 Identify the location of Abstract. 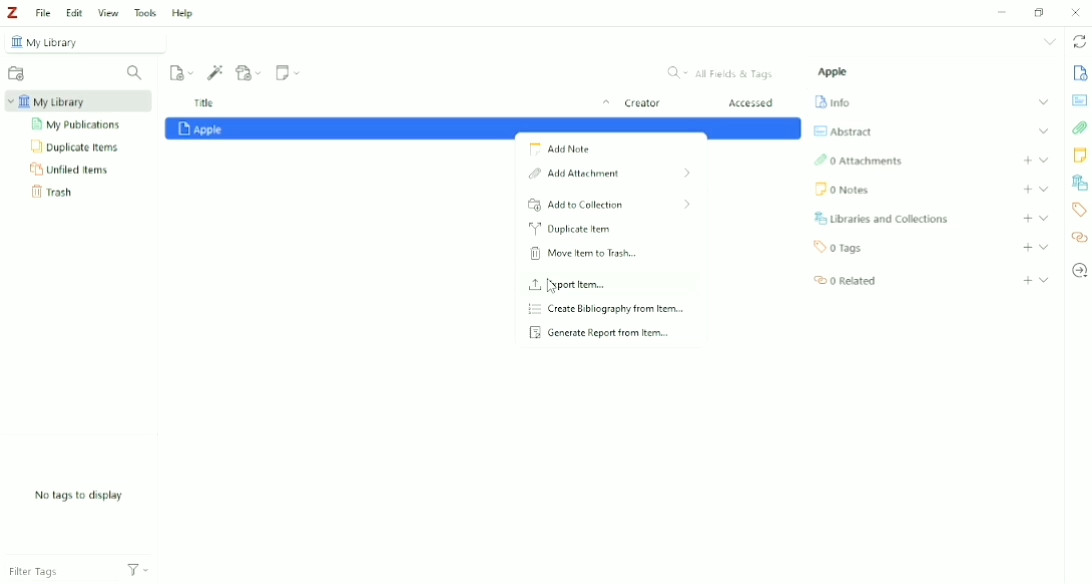
(1080, 101).